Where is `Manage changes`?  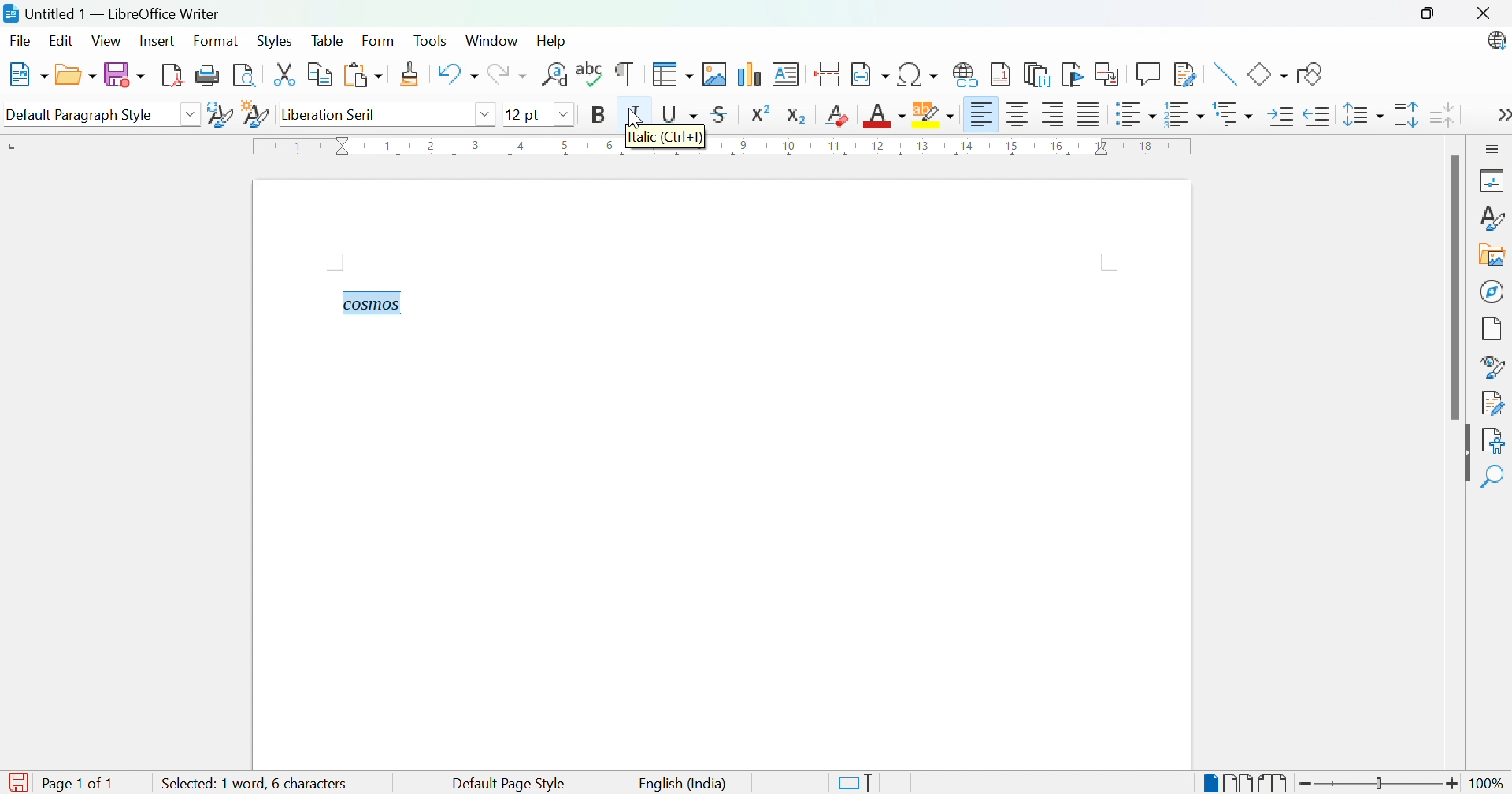
Manage changes is located at coordinates (1494, 404).